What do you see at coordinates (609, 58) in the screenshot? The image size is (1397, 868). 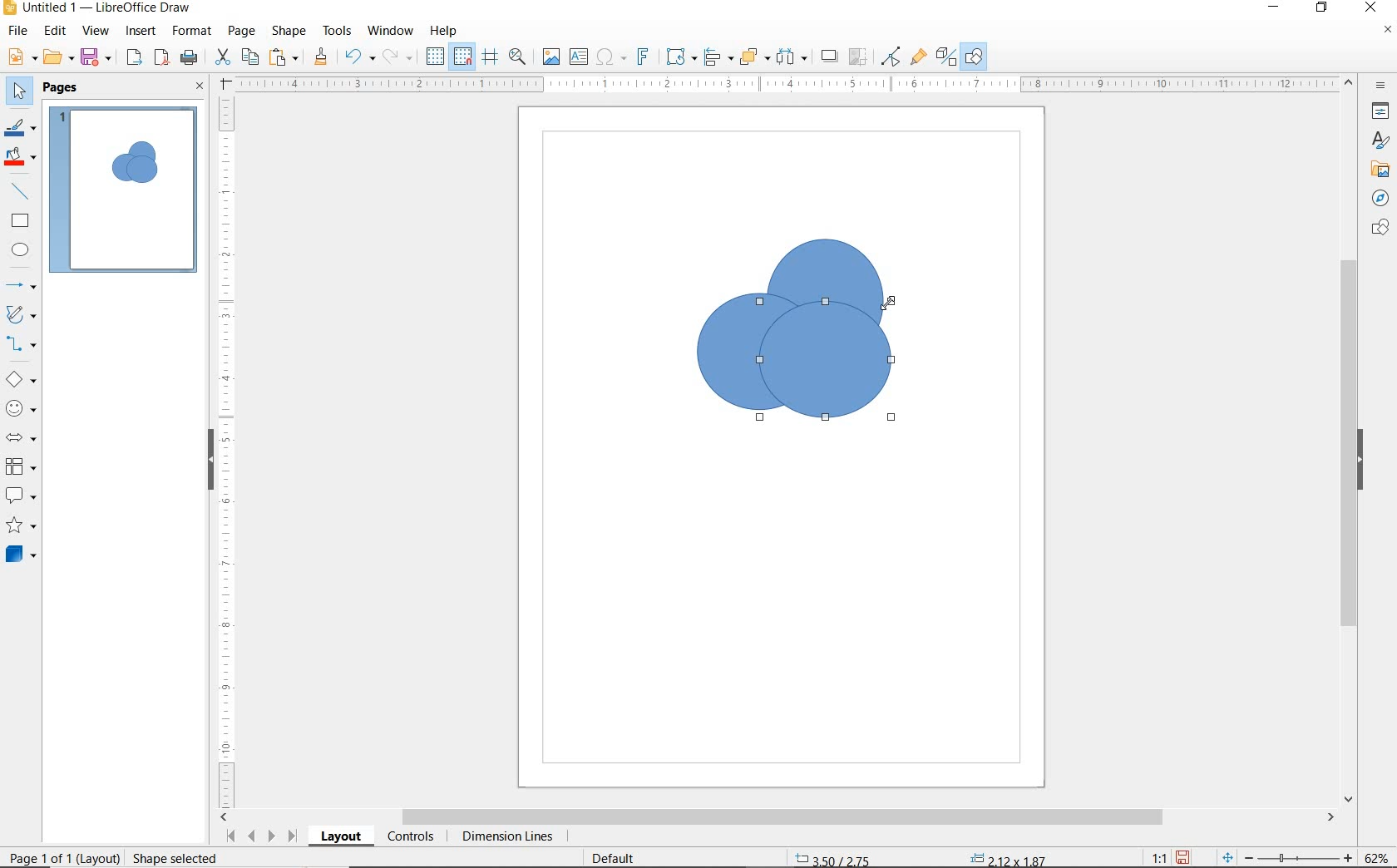 I see `INSERT SPECIAL CHARACTERS` at bounding box center [609, 58].